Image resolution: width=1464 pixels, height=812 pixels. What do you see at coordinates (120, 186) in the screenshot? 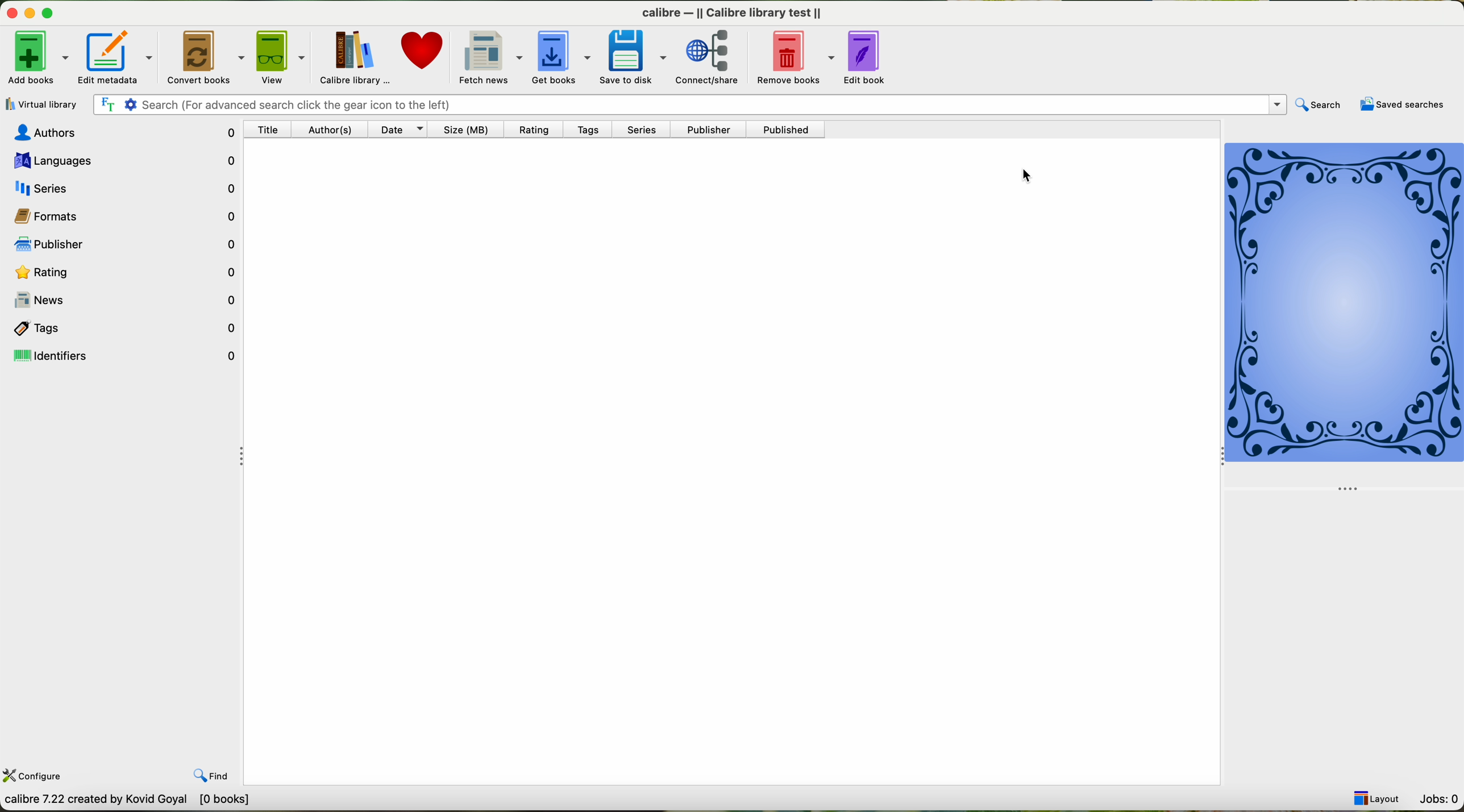
I see `series` at bounding box center [120, 186].